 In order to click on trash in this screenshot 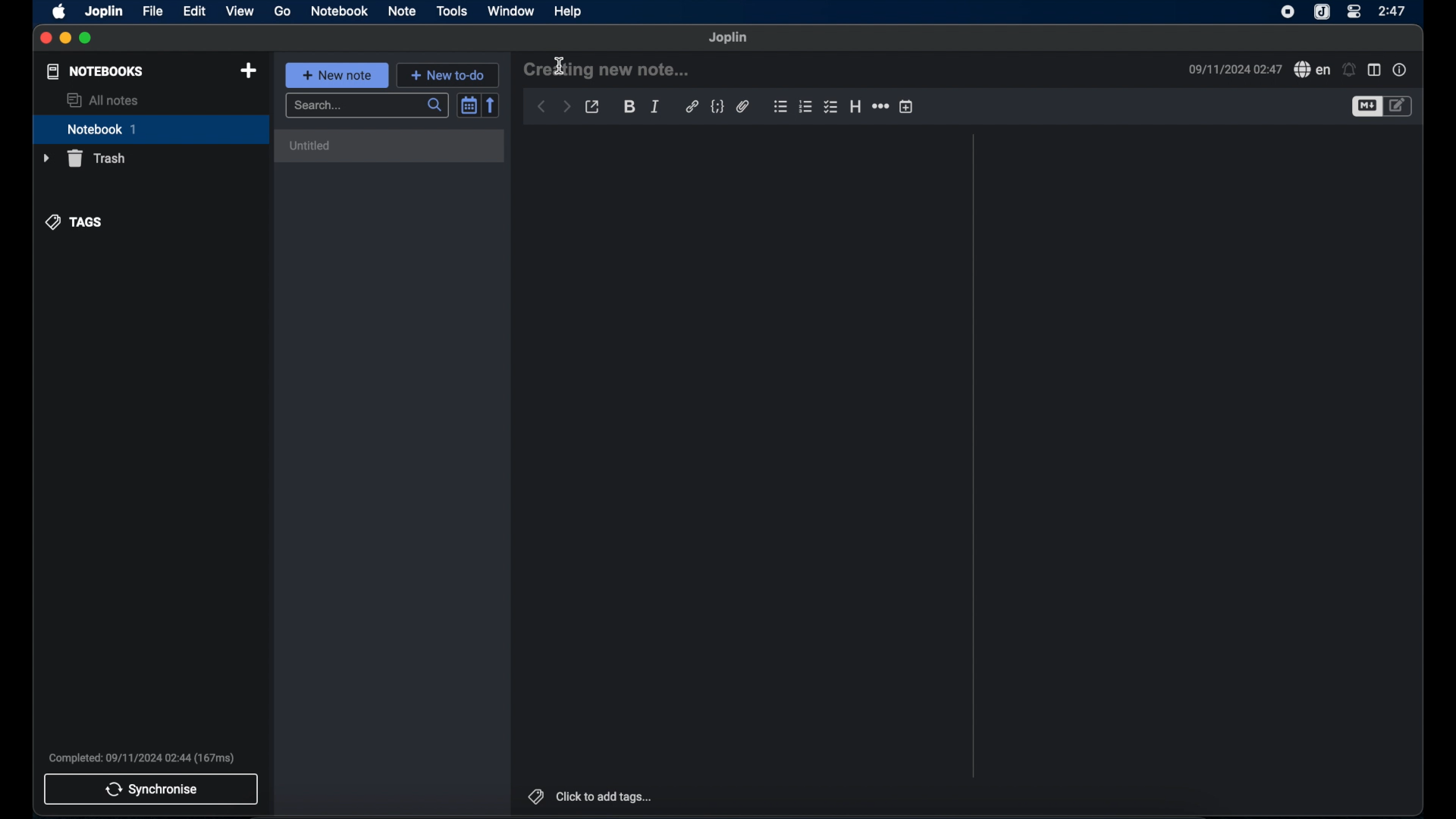, I will do `click(86, 158)`.